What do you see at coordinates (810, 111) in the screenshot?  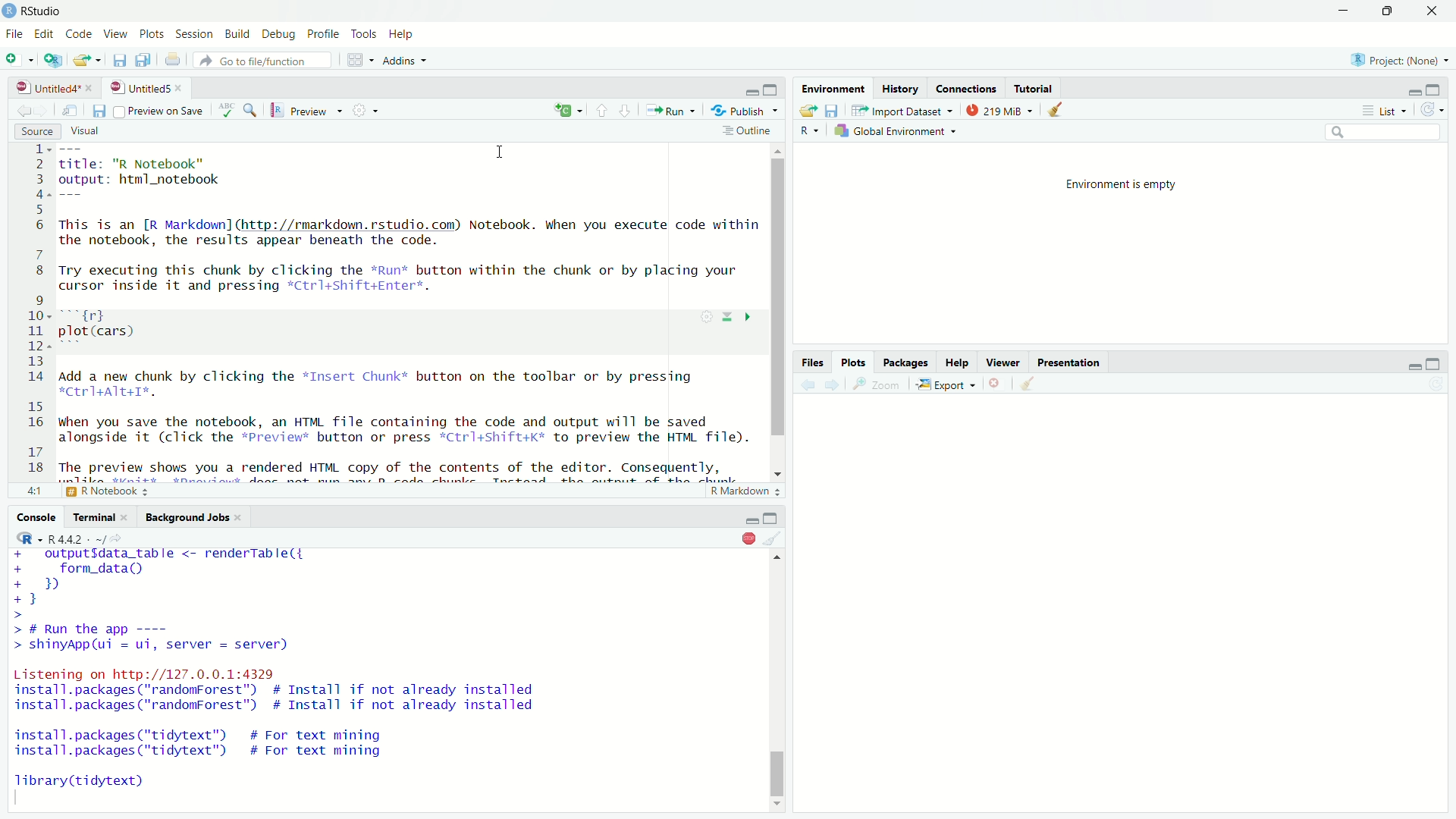 I see `load workspace` at bounding box center [810, 111].